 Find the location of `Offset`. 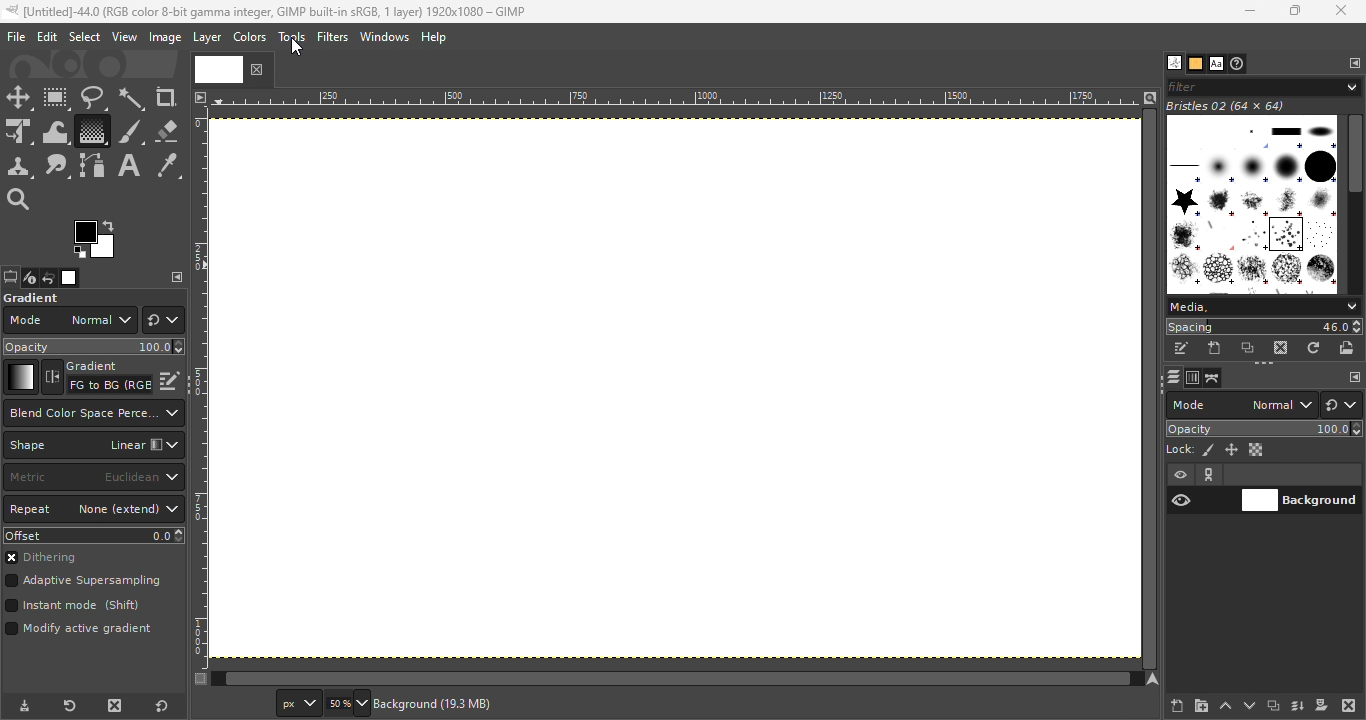

Offset is located at coordinates (94, 535).